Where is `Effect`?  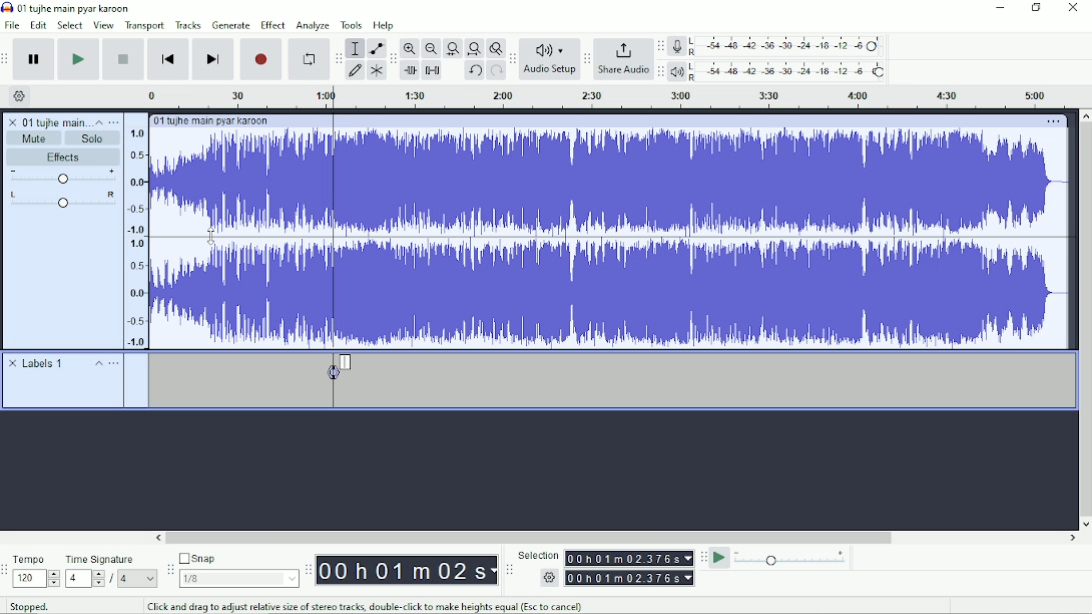 Effect is located at coordinates (273, 24).